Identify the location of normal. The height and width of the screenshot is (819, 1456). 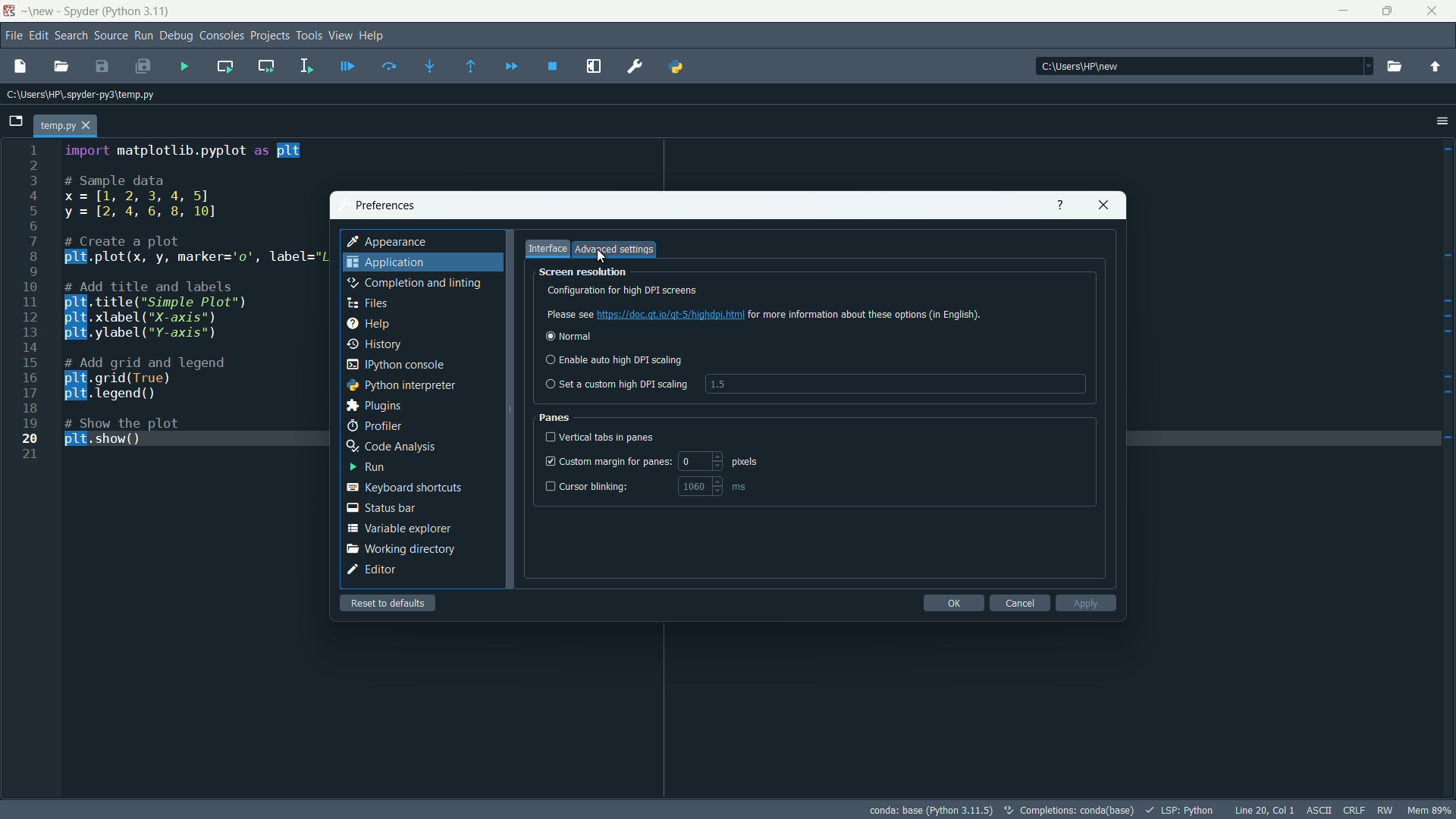
(567, 335).